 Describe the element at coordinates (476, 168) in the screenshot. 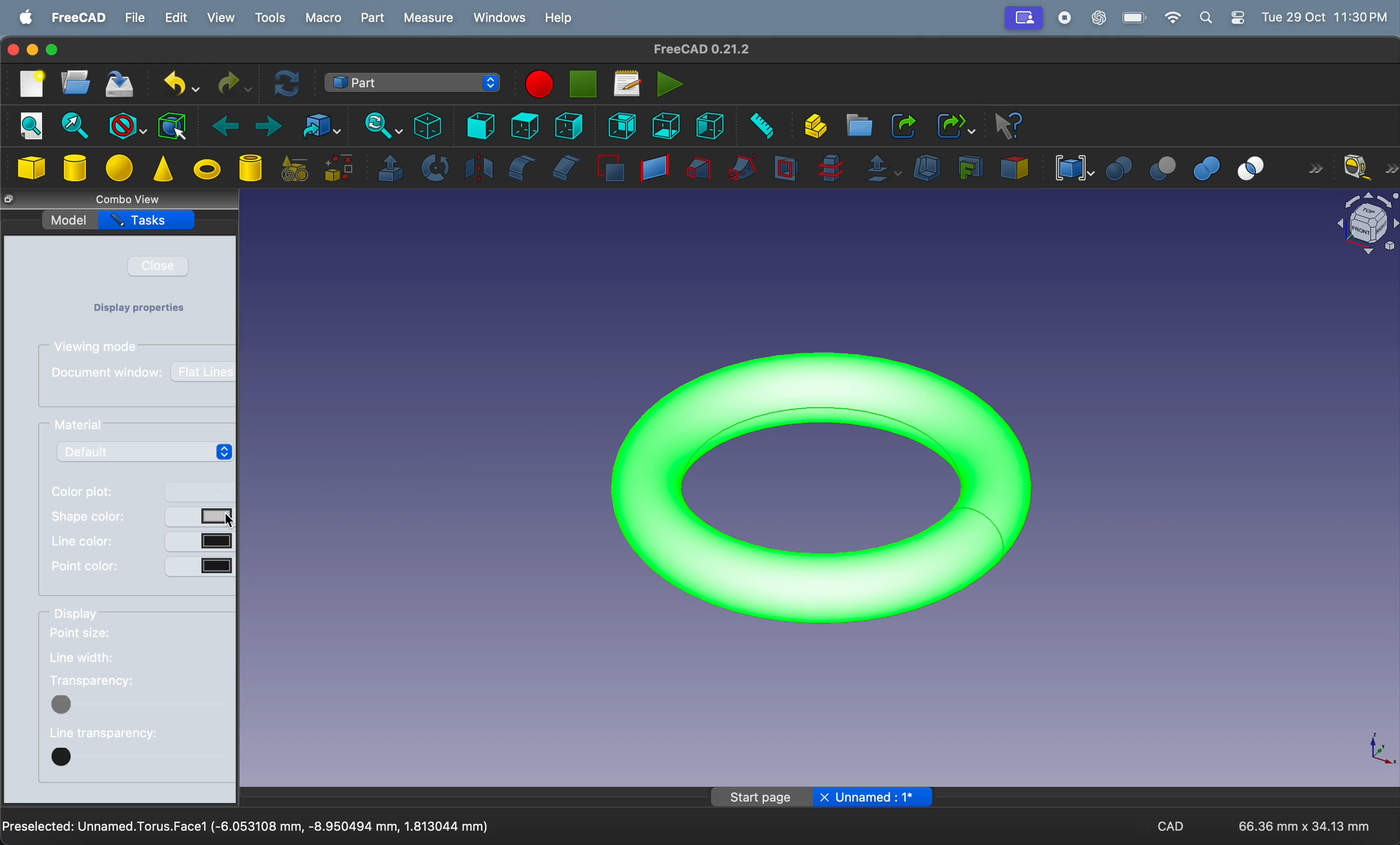

I see `mirroring` at that location.